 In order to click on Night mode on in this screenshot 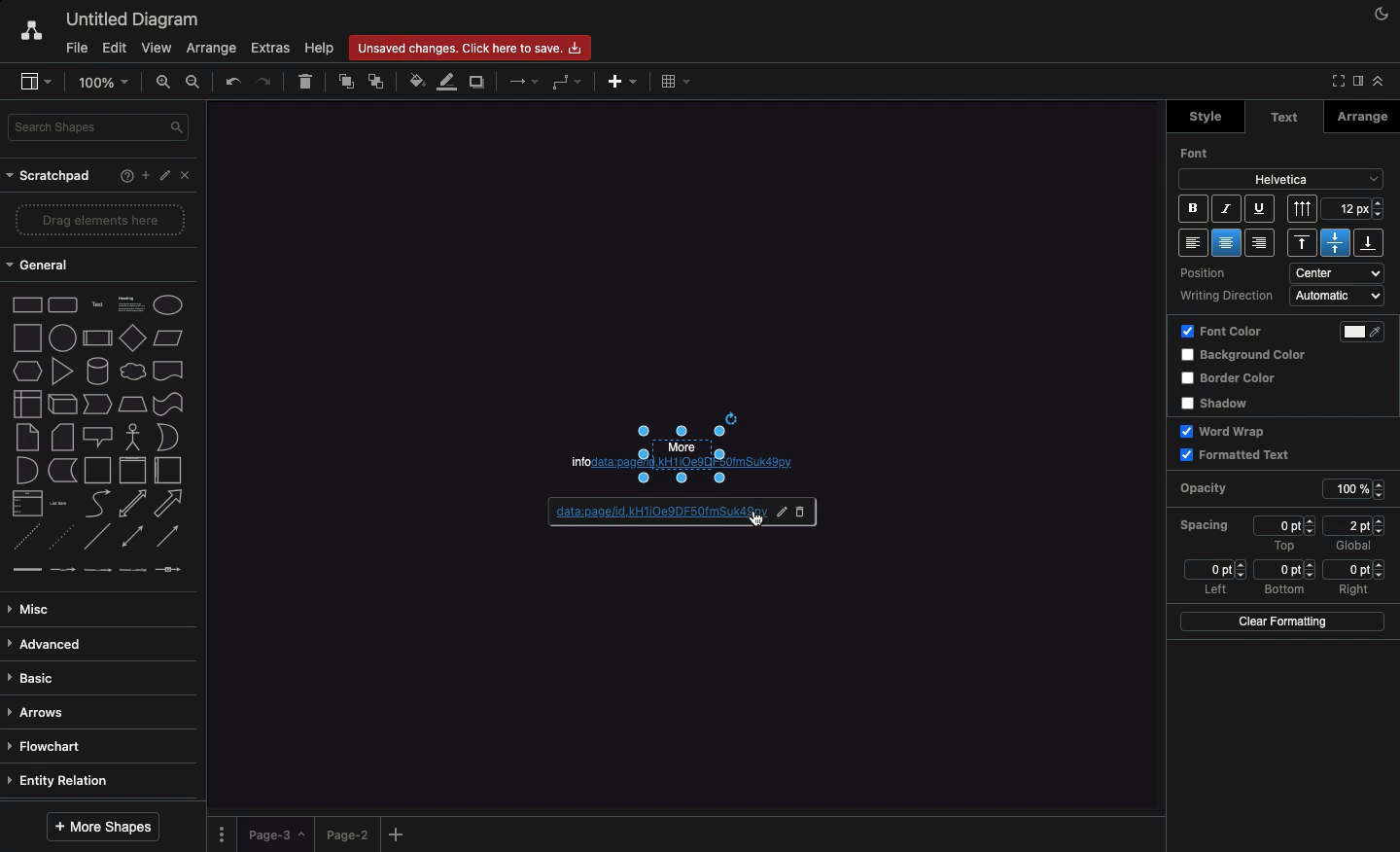, I will do `click(1380, 15)`.